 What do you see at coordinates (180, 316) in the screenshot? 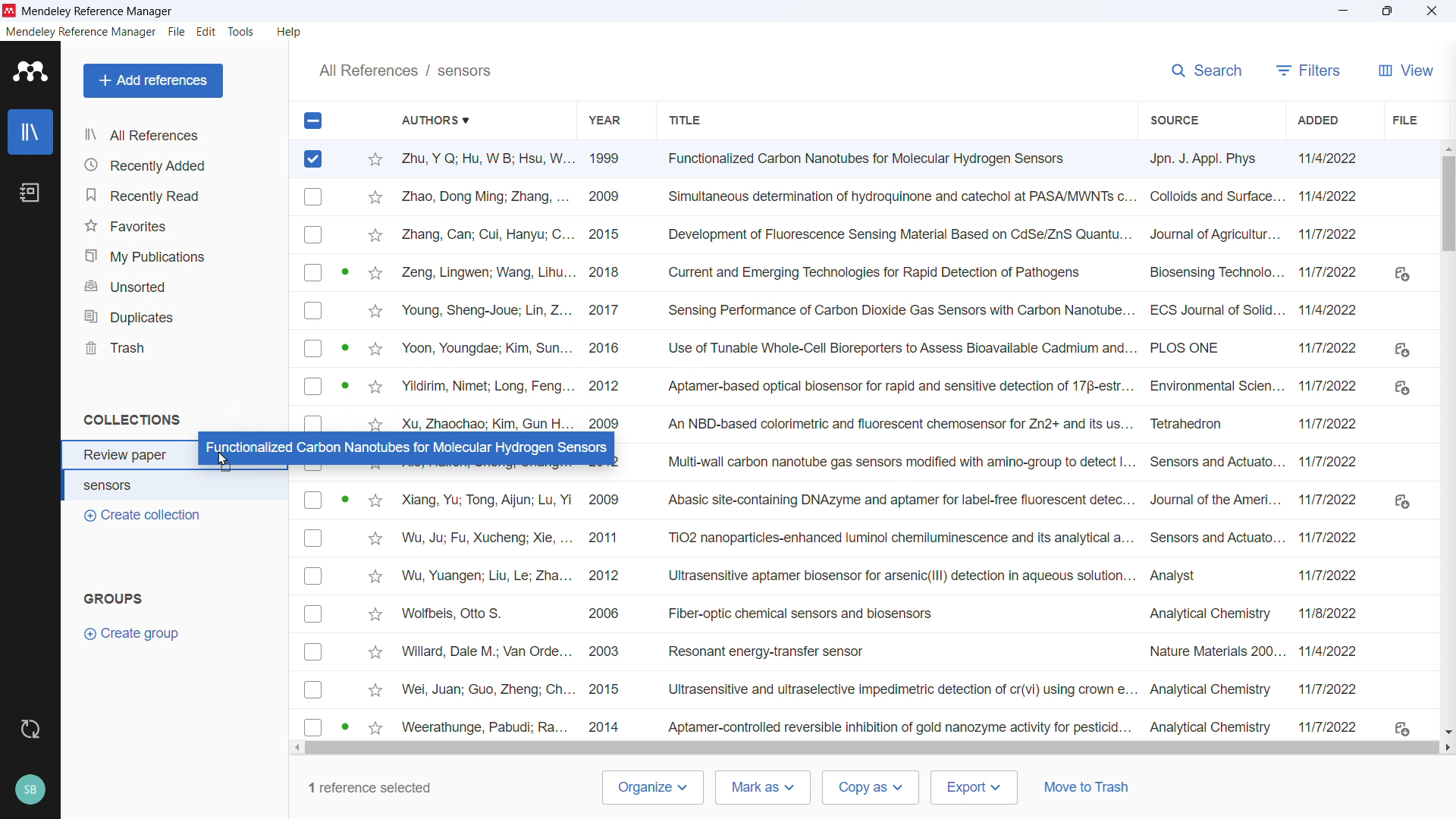
I see `Duplicates ` at bounding box center [180, 316].